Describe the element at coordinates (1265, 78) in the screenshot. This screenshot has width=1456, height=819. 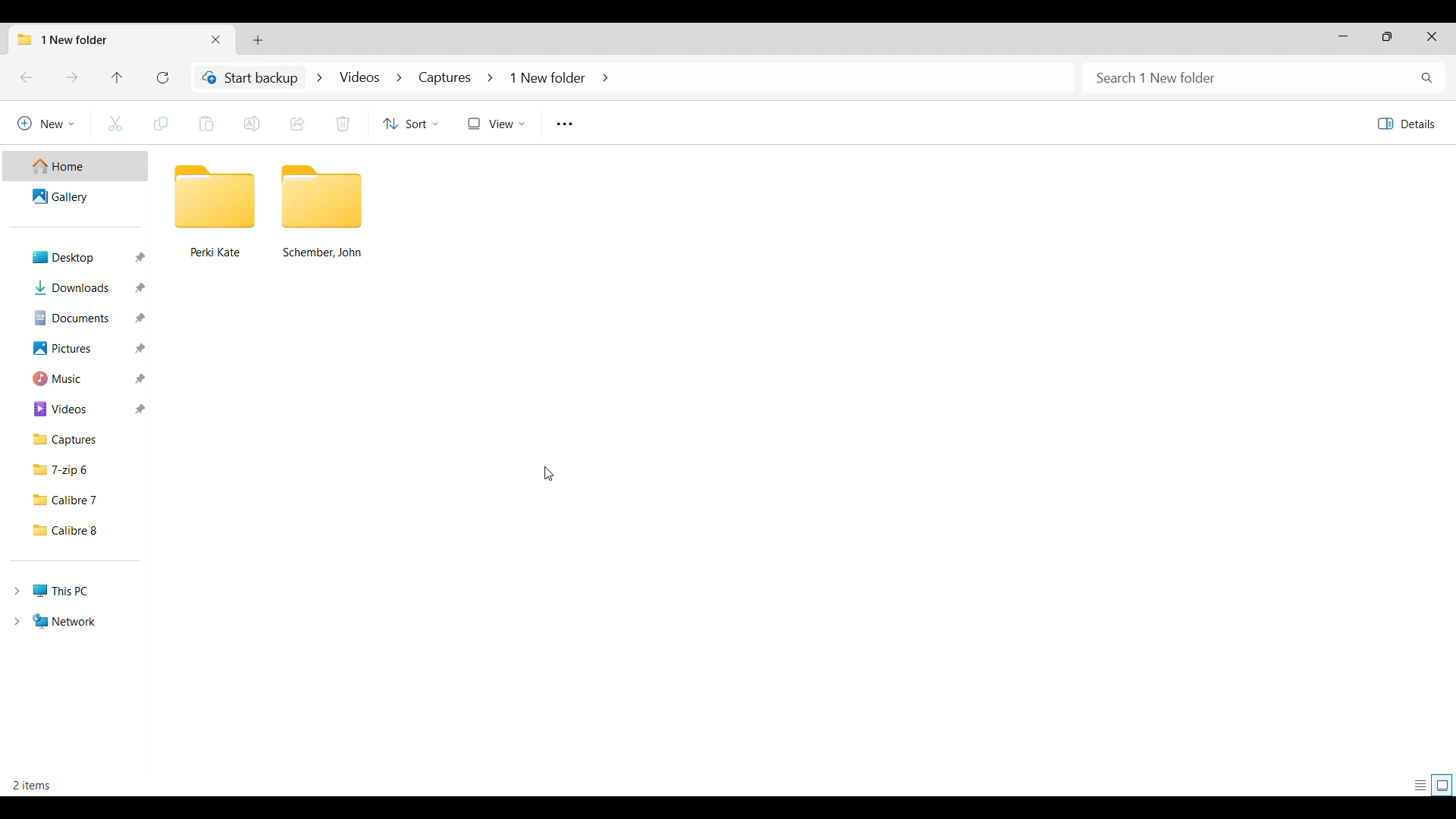
I see `Search` at that location.